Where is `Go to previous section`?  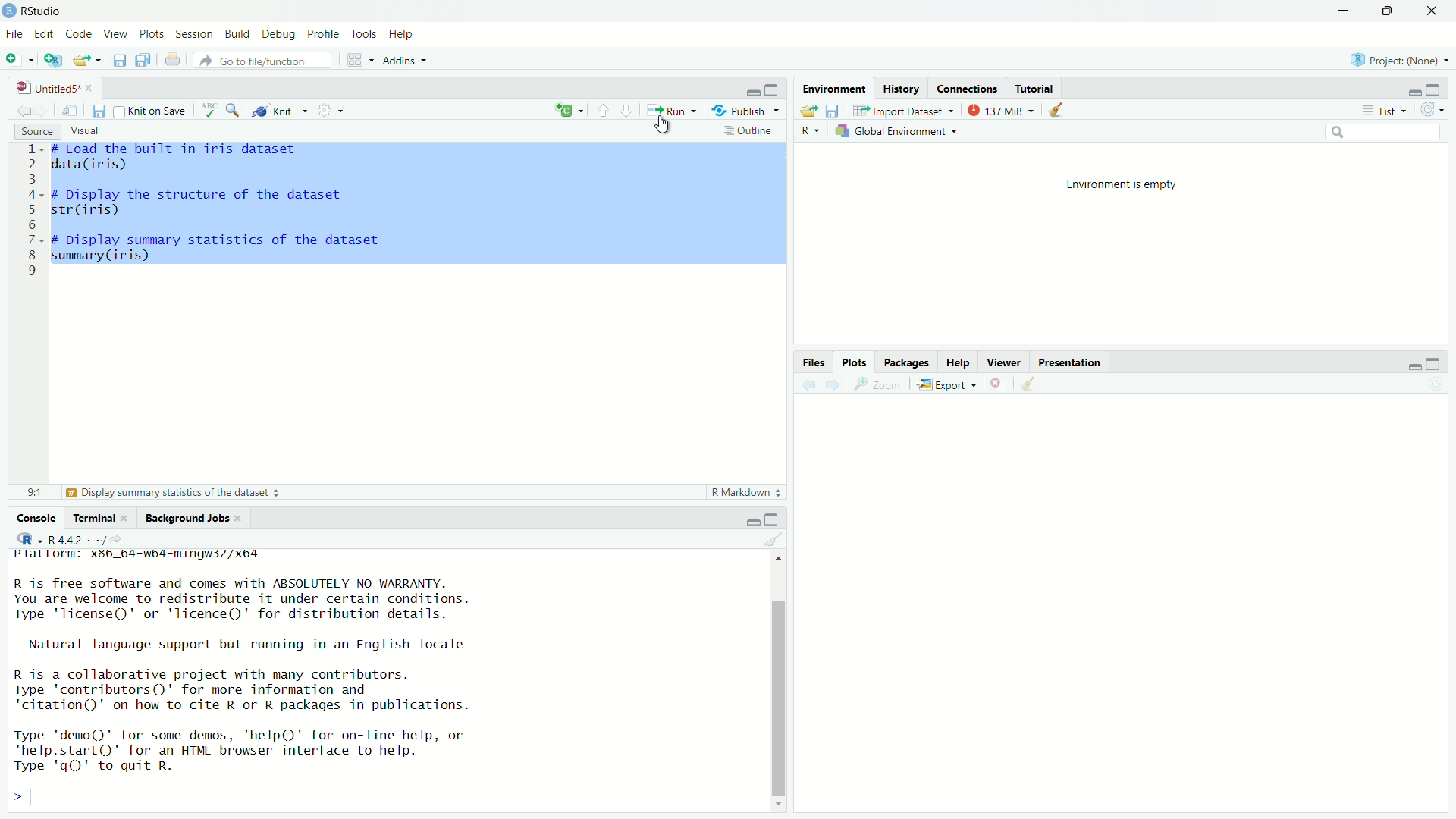 Go to previous section is located at coordinates (604, 110).